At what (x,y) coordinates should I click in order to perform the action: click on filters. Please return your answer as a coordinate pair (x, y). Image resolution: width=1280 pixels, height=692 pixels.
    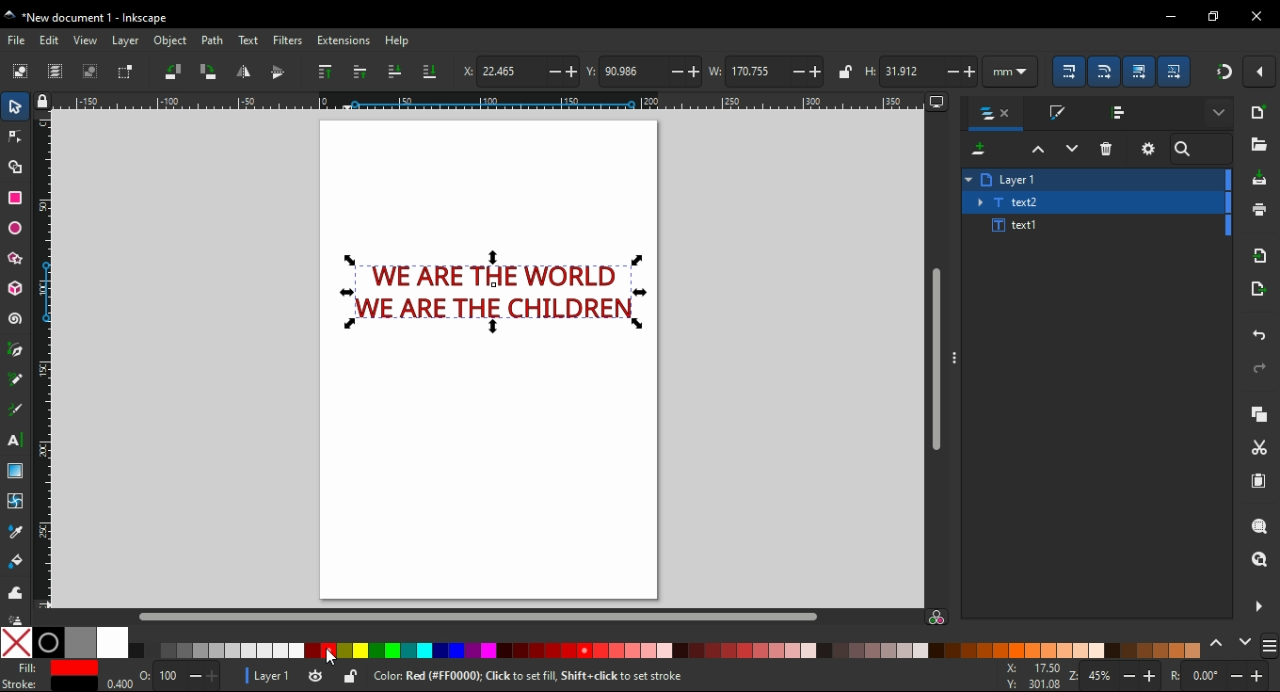
    Looking at the image, I should click on (289, 41).